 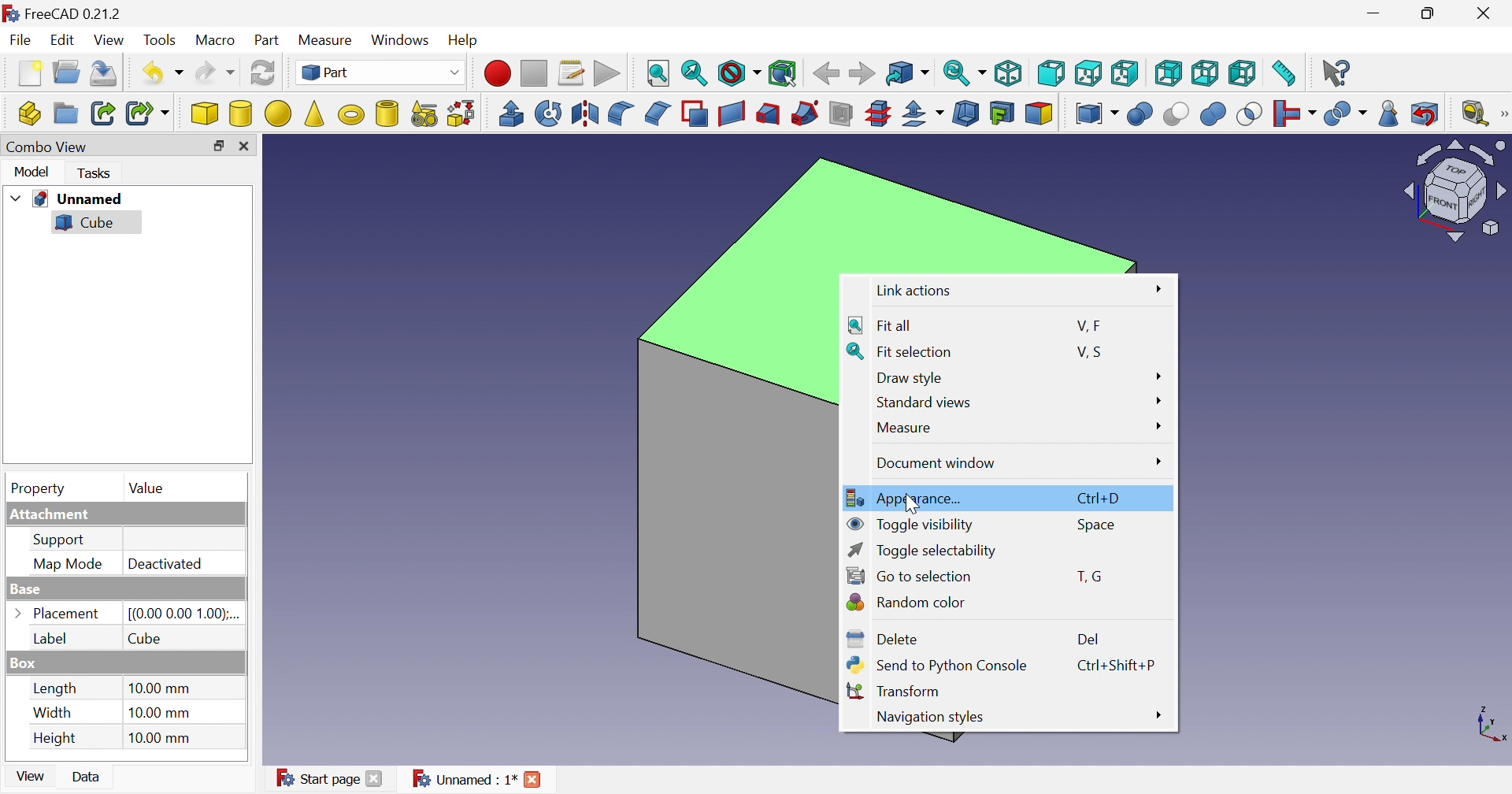 What do you see at coordinates (732, 114) in the screenshot?
I see `Create ruled surface` at bounding box center [732, 114].